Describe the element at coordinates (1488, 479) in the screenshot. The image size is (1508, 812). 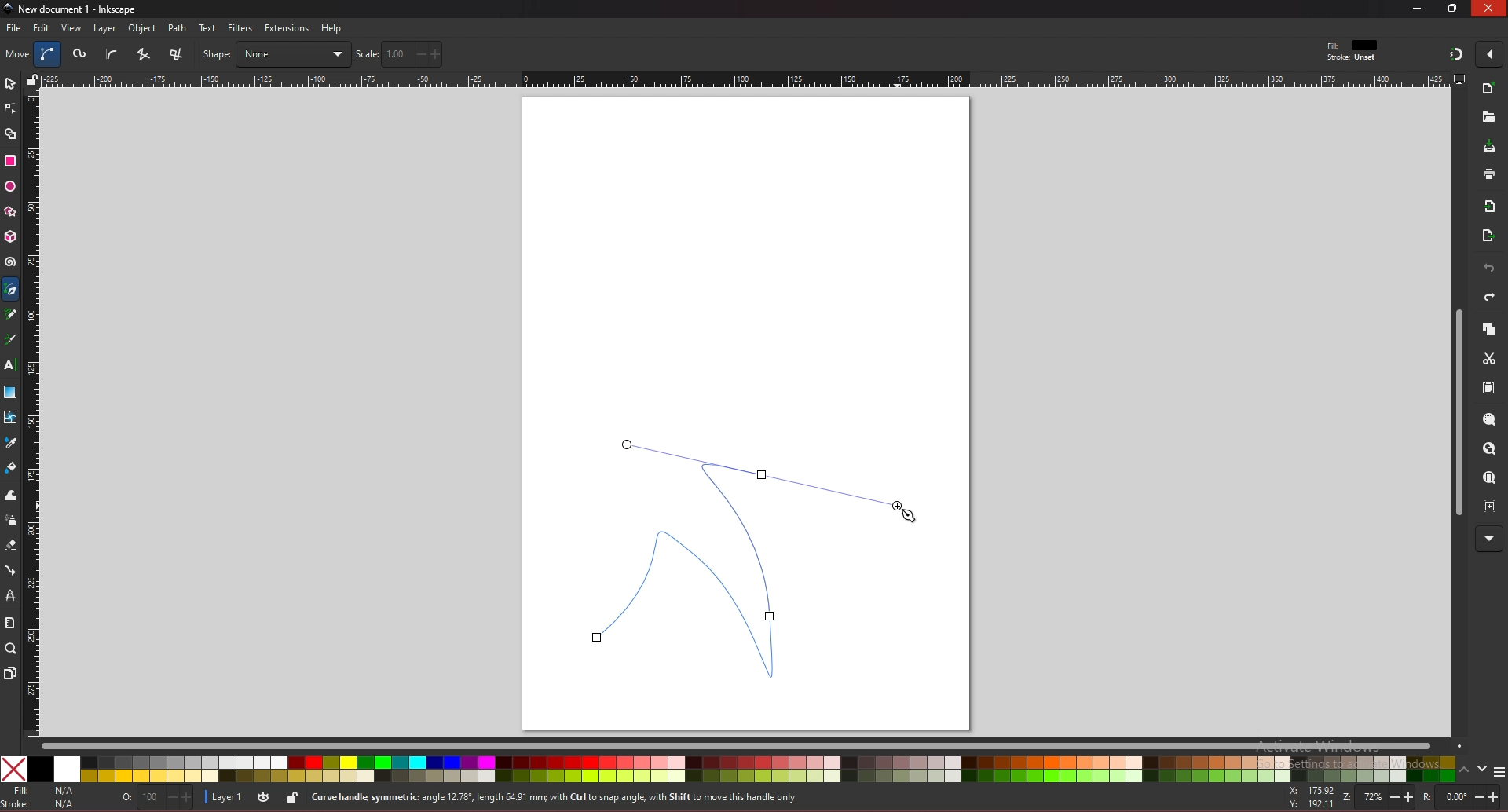
I see `zoom page` at that location.